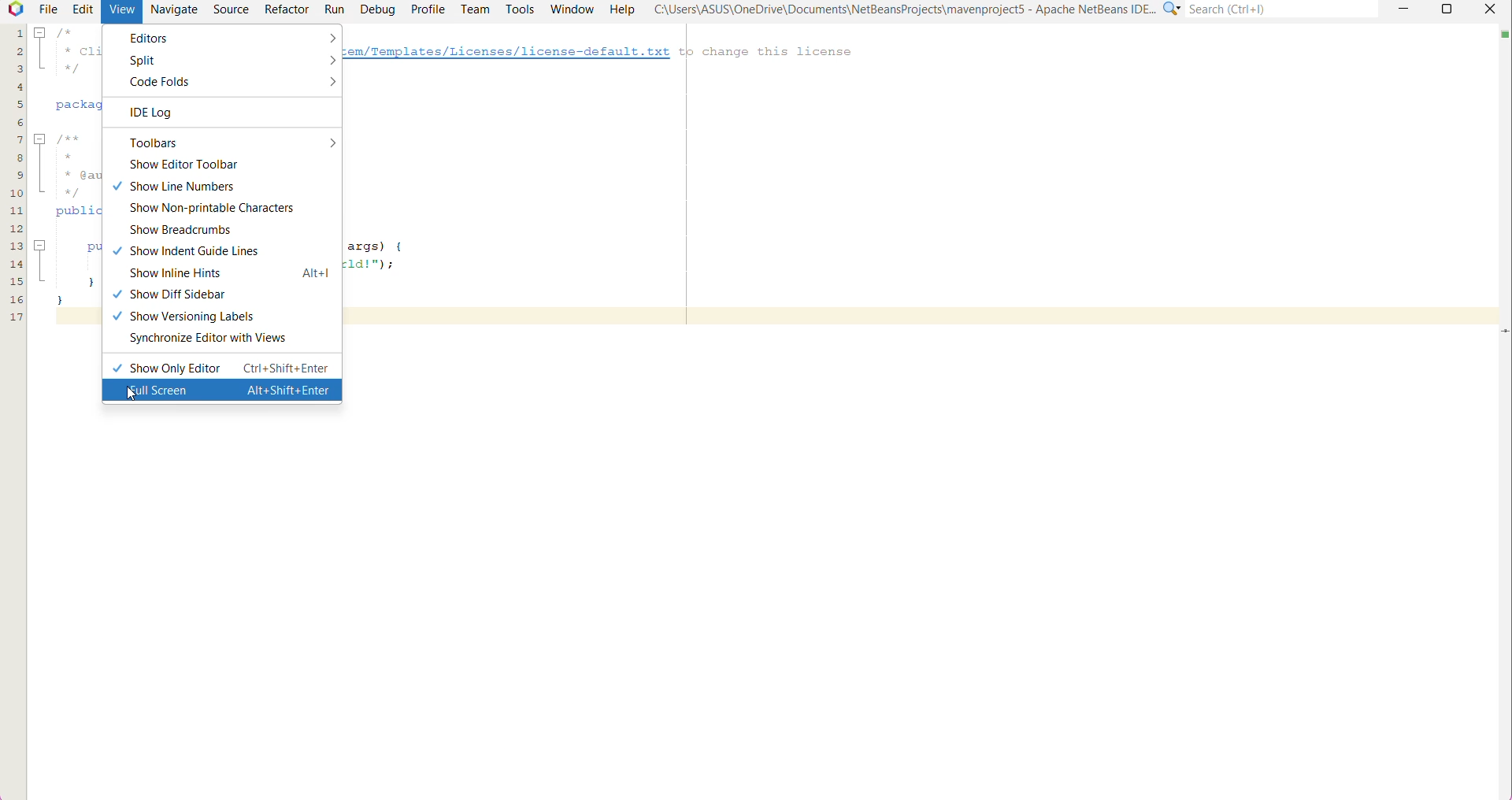 This screenshot has height=800, width=1512. Describe the element at coordinates (335, 9) in the screenshot. I see `Run` at that location.